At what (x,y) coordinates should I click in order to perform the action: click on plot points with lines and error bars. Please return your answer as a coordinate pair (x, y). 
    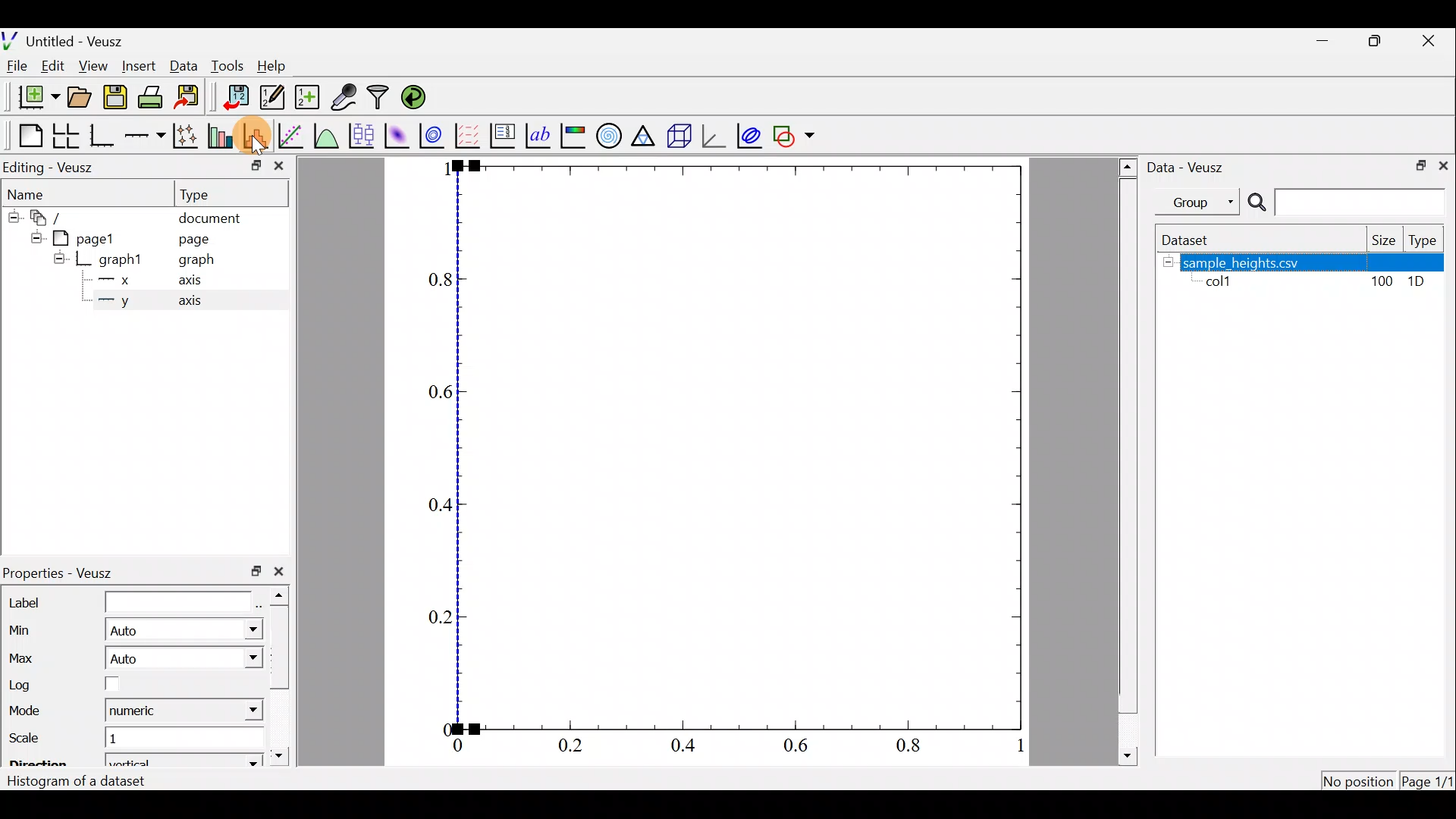
    Looking at the image, I should click on (185, 135).